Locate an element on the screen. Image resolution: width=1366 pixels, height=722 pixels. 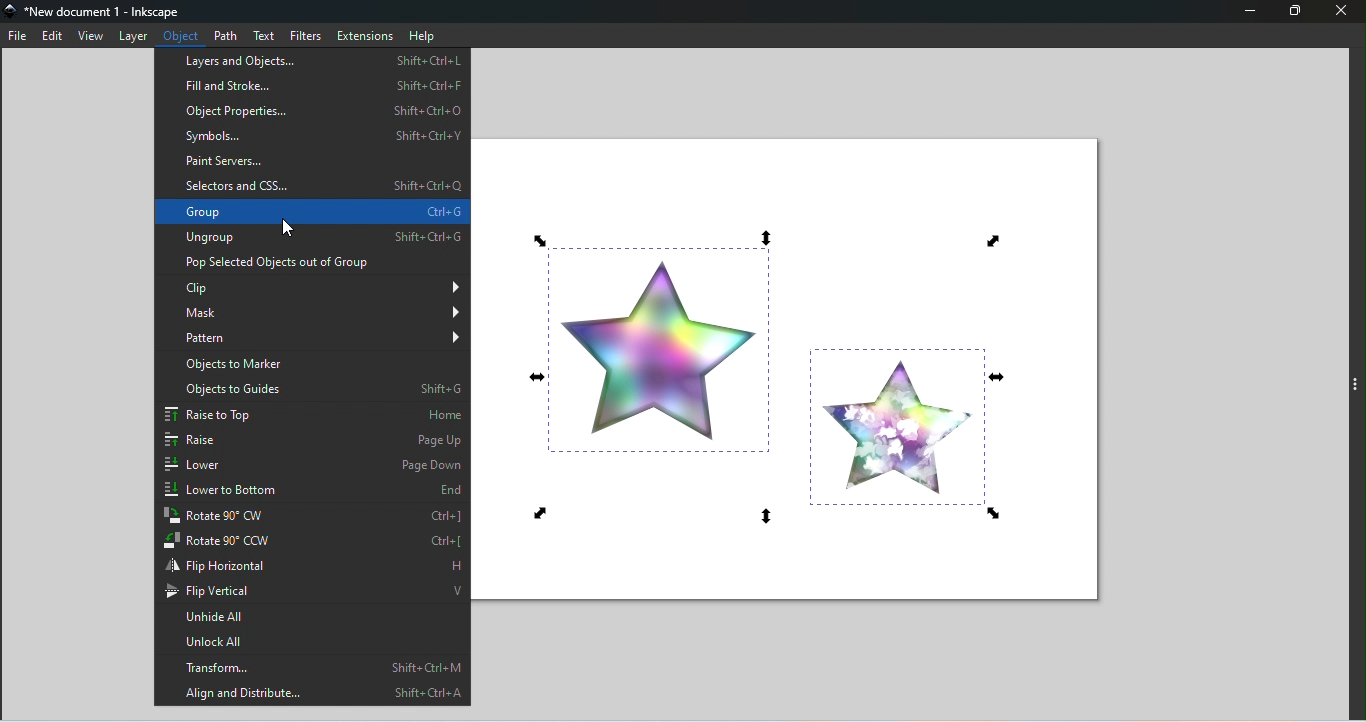
Mask is located at coordinates (315, 313).